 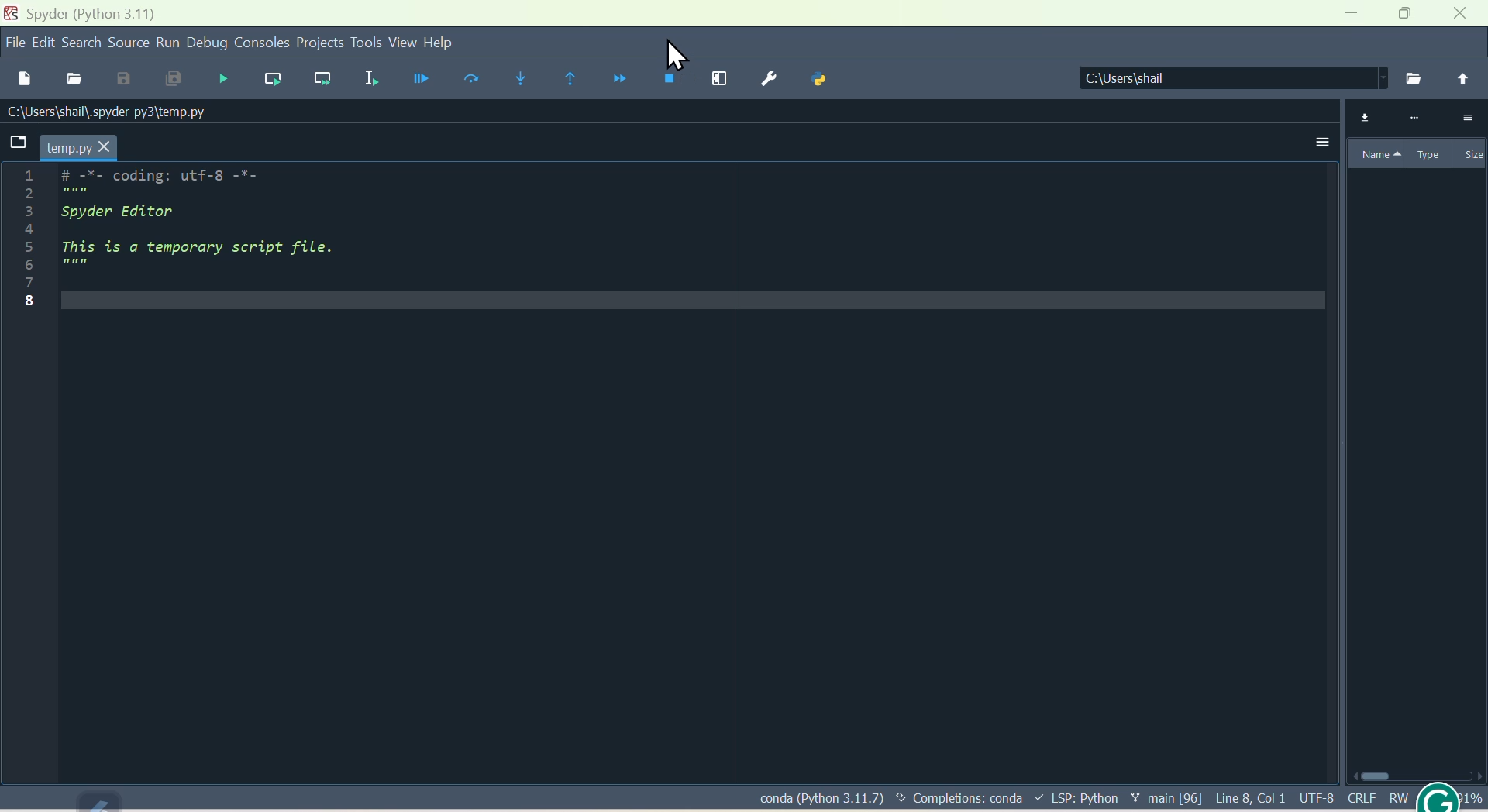 I want to click on Projects, so click(x=320, y=42).